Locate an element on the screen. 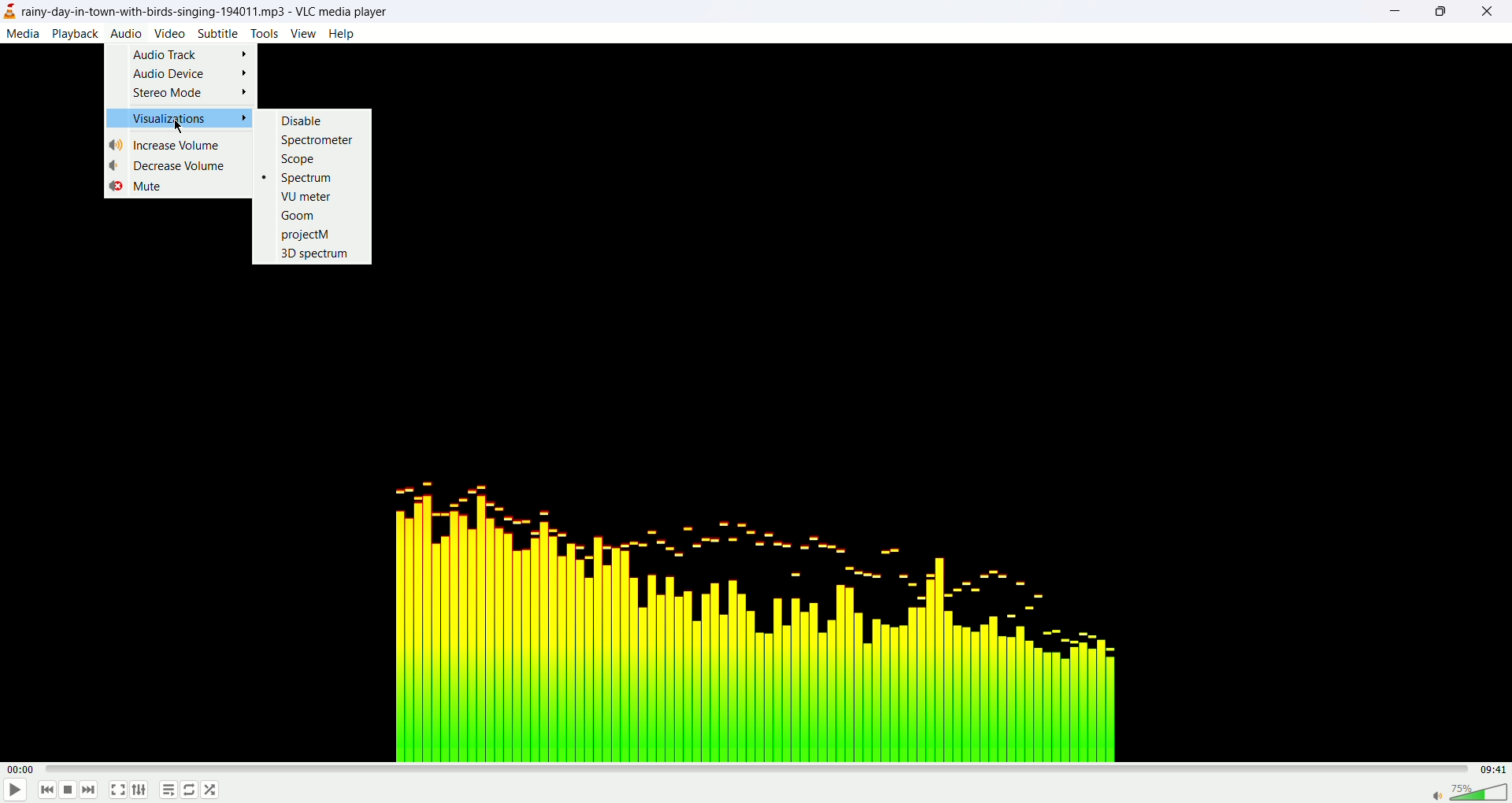 The height and width of the screenshot is (803, 1512). audio tunes is located at coordinates (748, 615).